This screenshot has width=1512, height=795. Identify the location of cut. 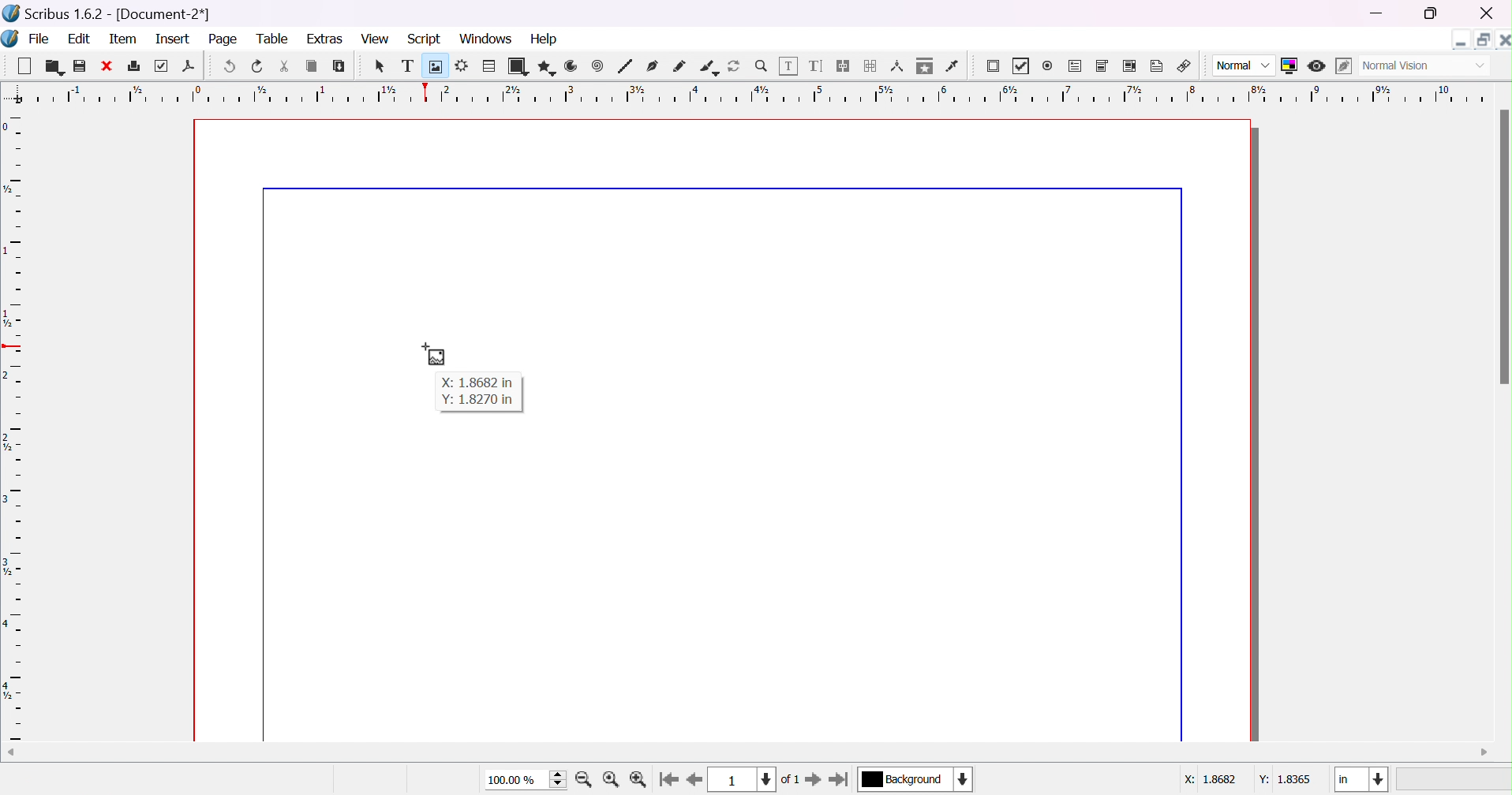
(283, 66).